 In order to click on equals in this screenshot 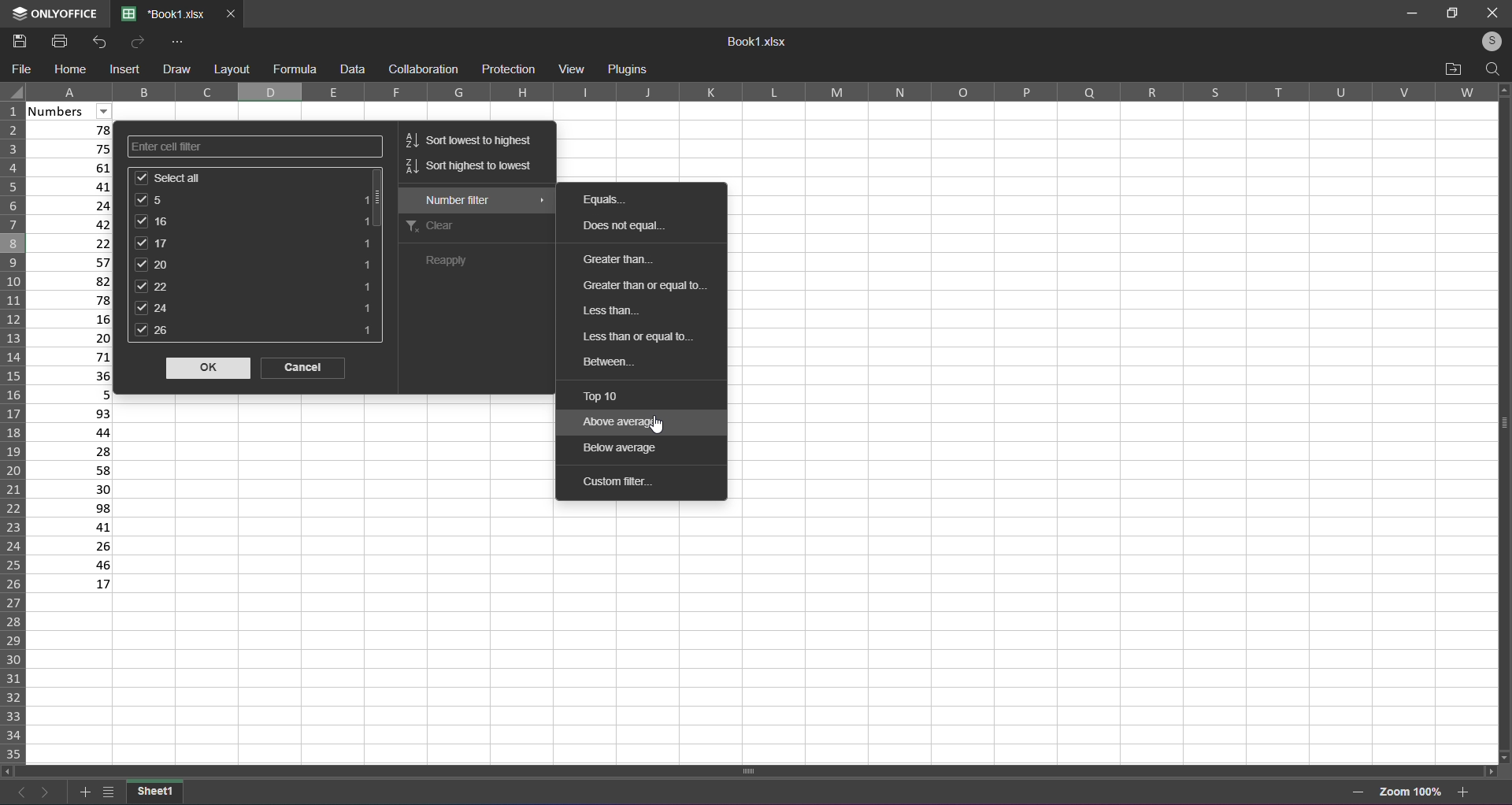, I will do `click(619, 202)`.